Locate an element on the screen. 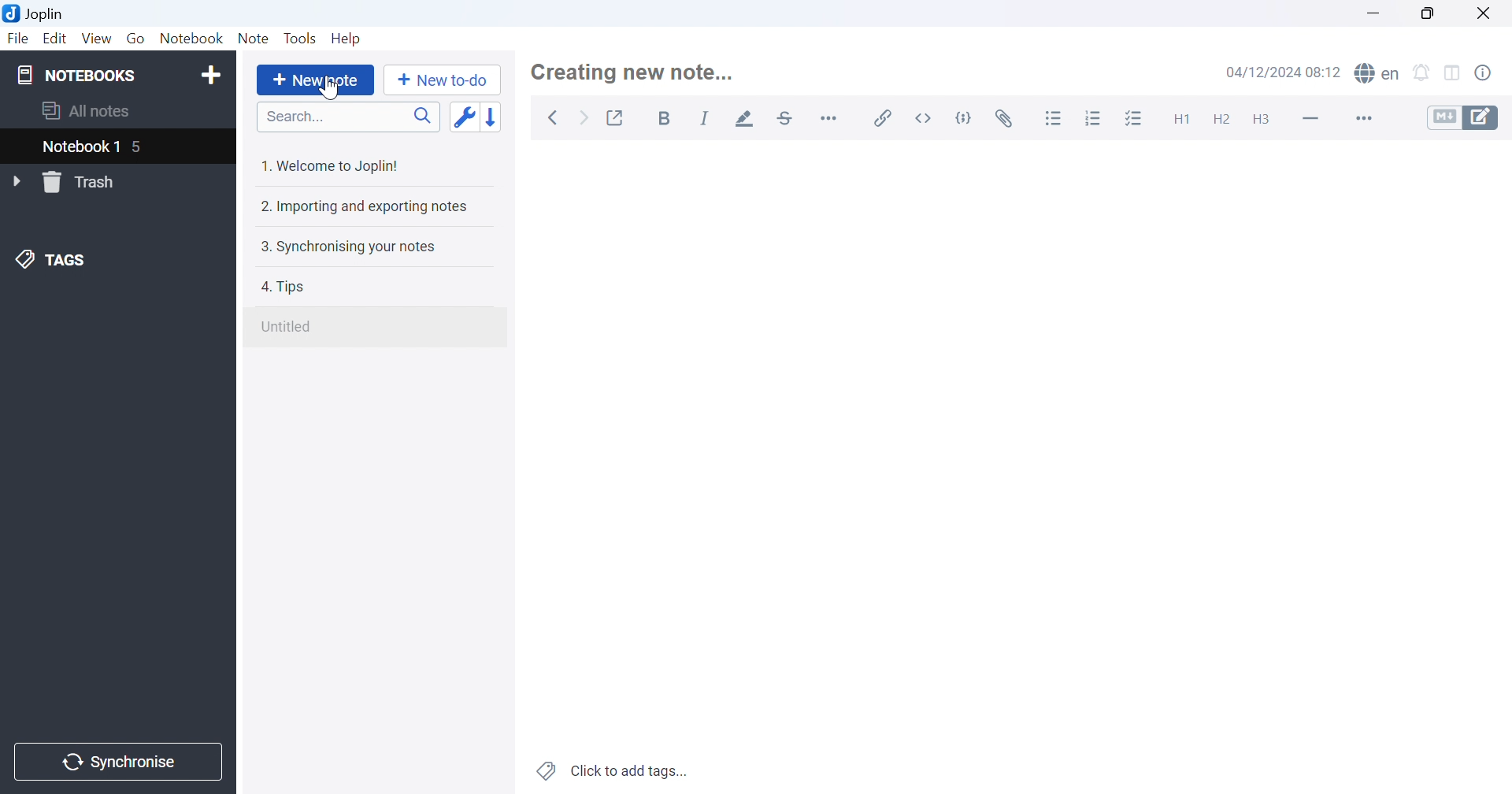 The width and height of the screenshot is (1512, 794). Heading 2 is located at coordinates (1223, 118).